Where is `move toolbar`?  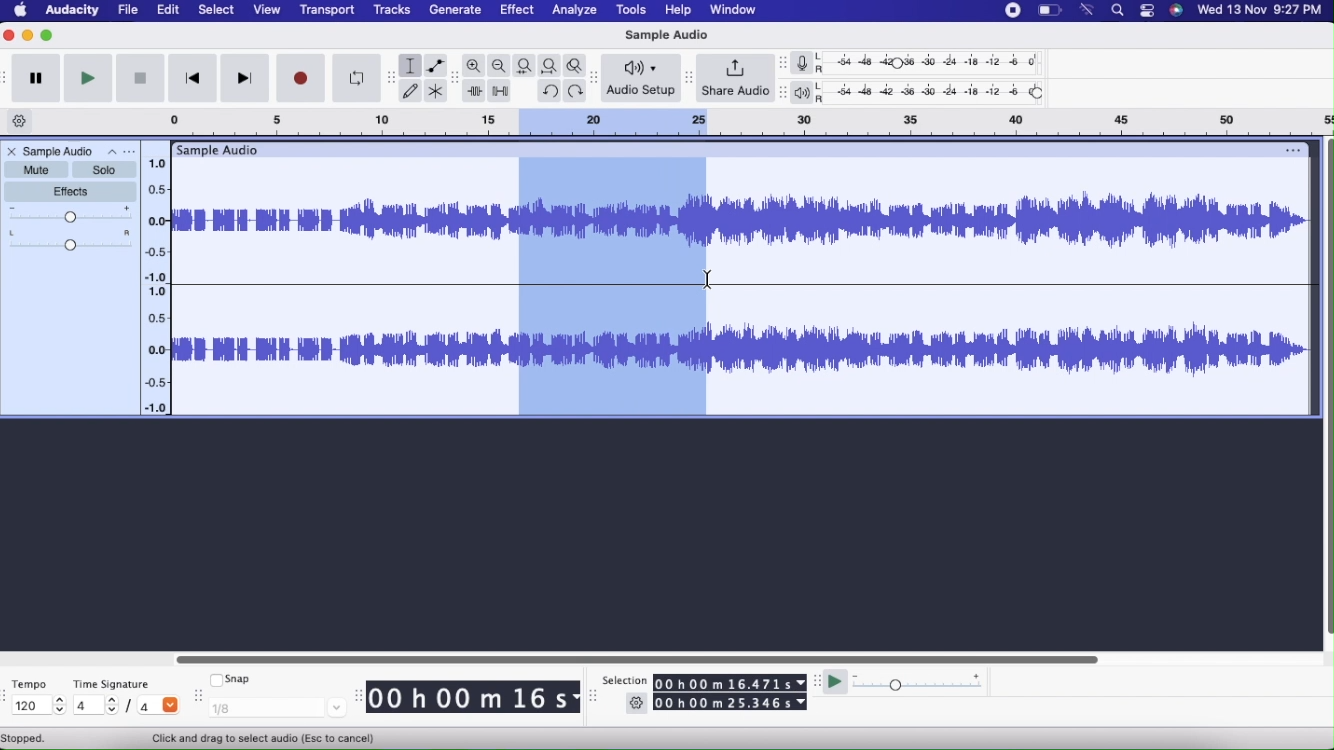 move toolbar is located at coordinates (689, 76).